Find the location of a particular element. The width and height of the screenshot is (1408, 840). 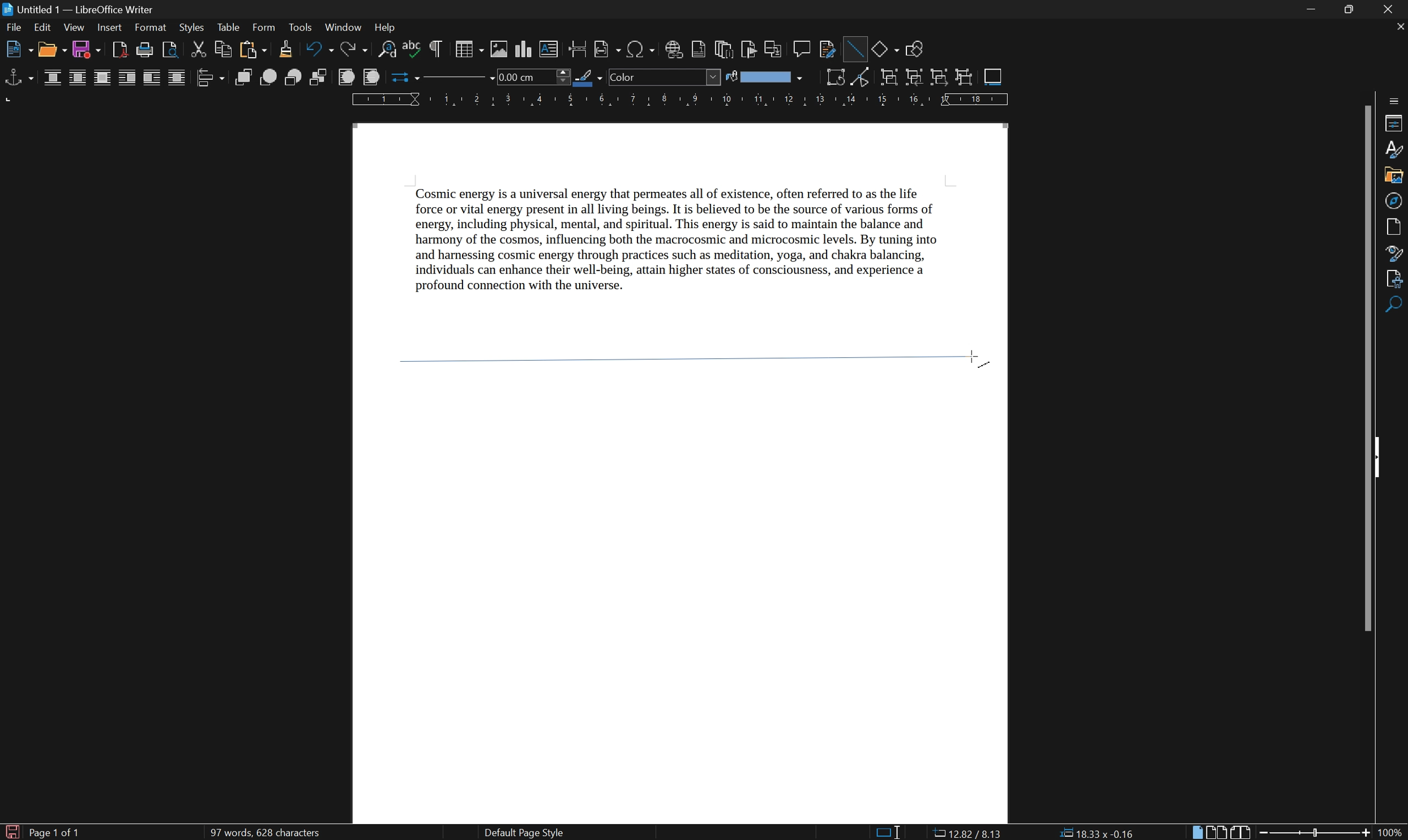

toggle print preview is located at coordinates (168, 49).